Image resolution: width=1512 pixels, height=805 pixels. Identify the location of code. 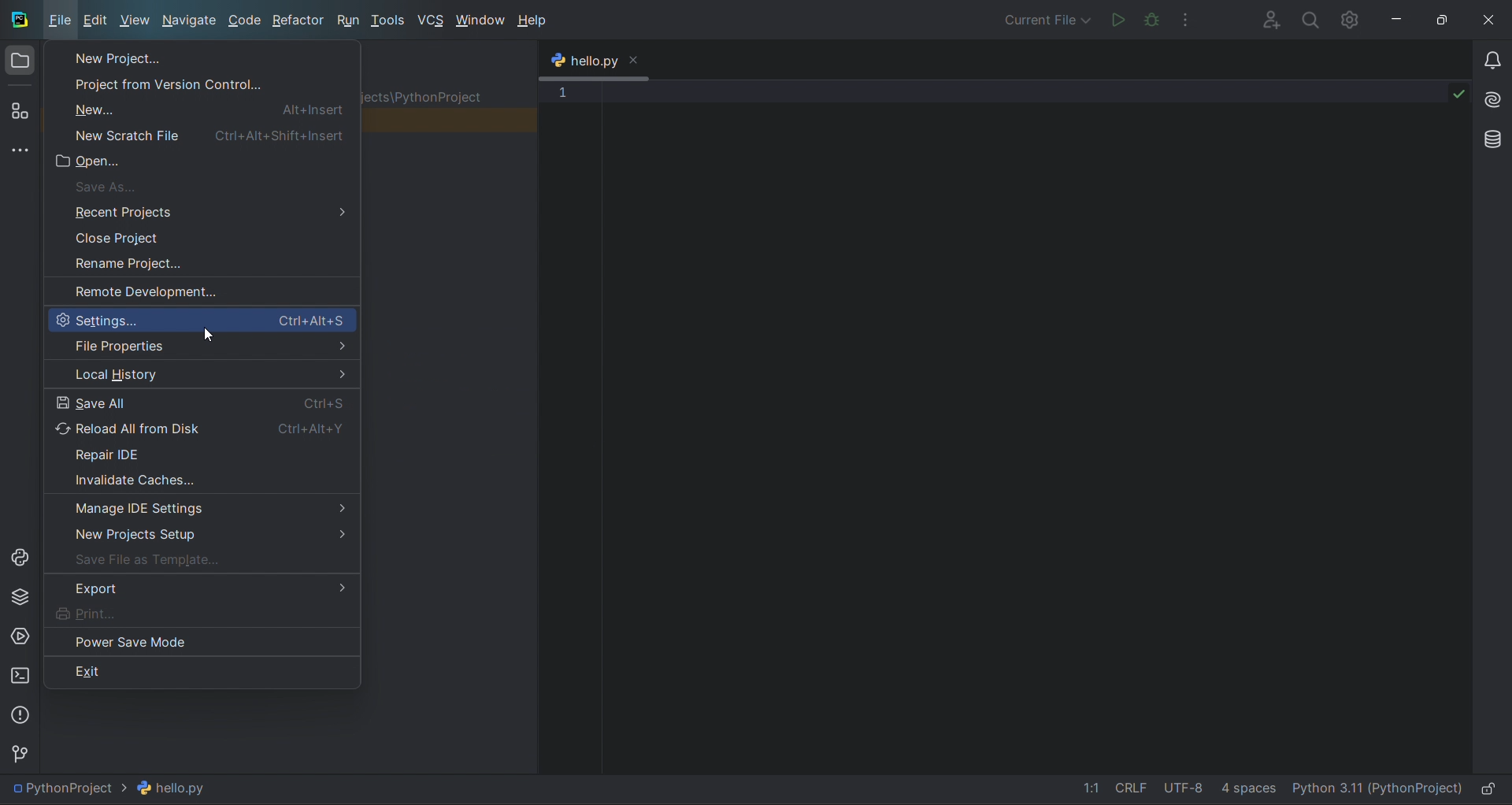
(239, 21).